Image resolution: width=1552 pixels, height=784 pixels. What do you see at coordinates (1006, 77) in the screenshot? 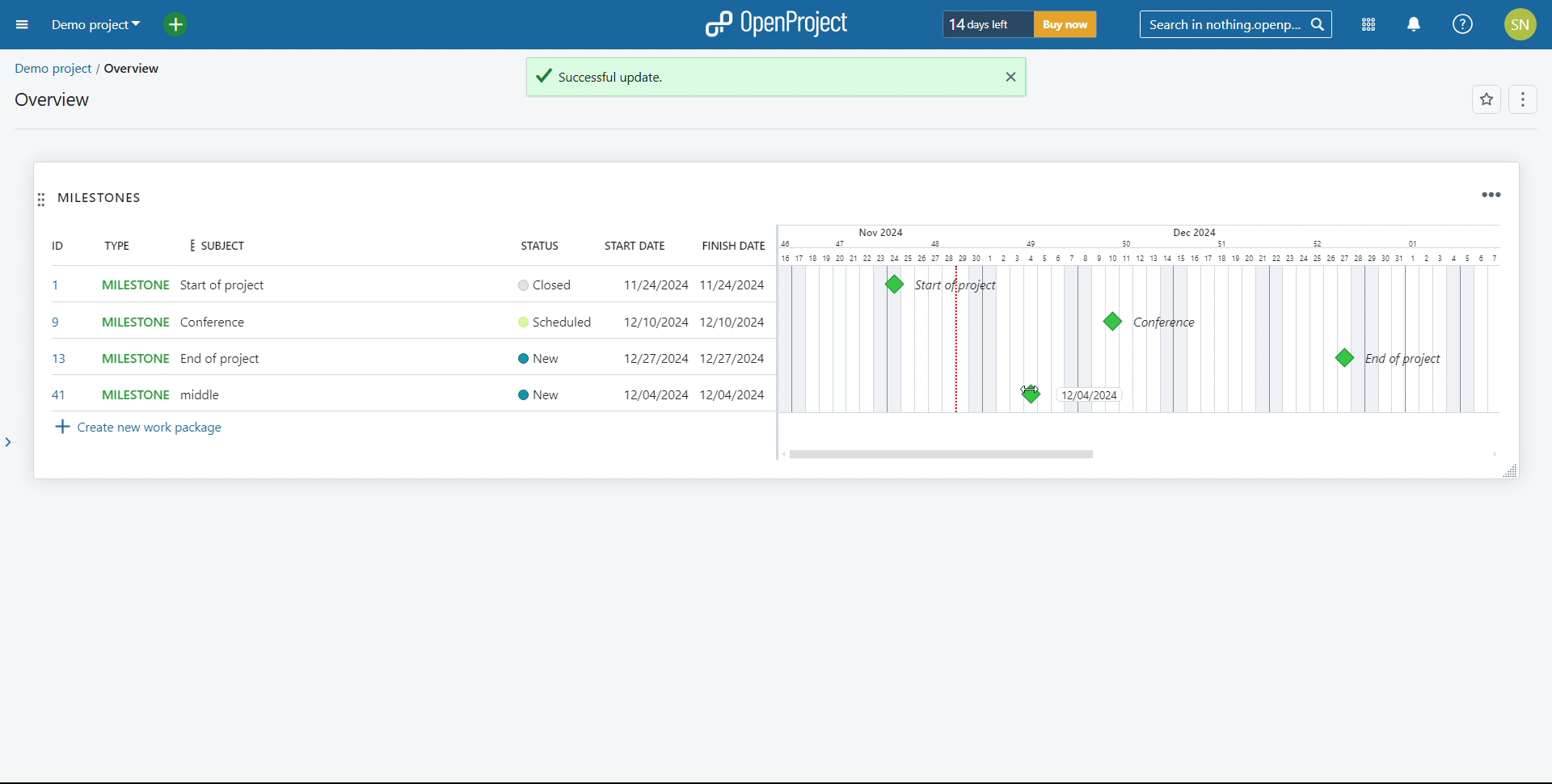
I see `close notification` at bounding box center [1006, 77].